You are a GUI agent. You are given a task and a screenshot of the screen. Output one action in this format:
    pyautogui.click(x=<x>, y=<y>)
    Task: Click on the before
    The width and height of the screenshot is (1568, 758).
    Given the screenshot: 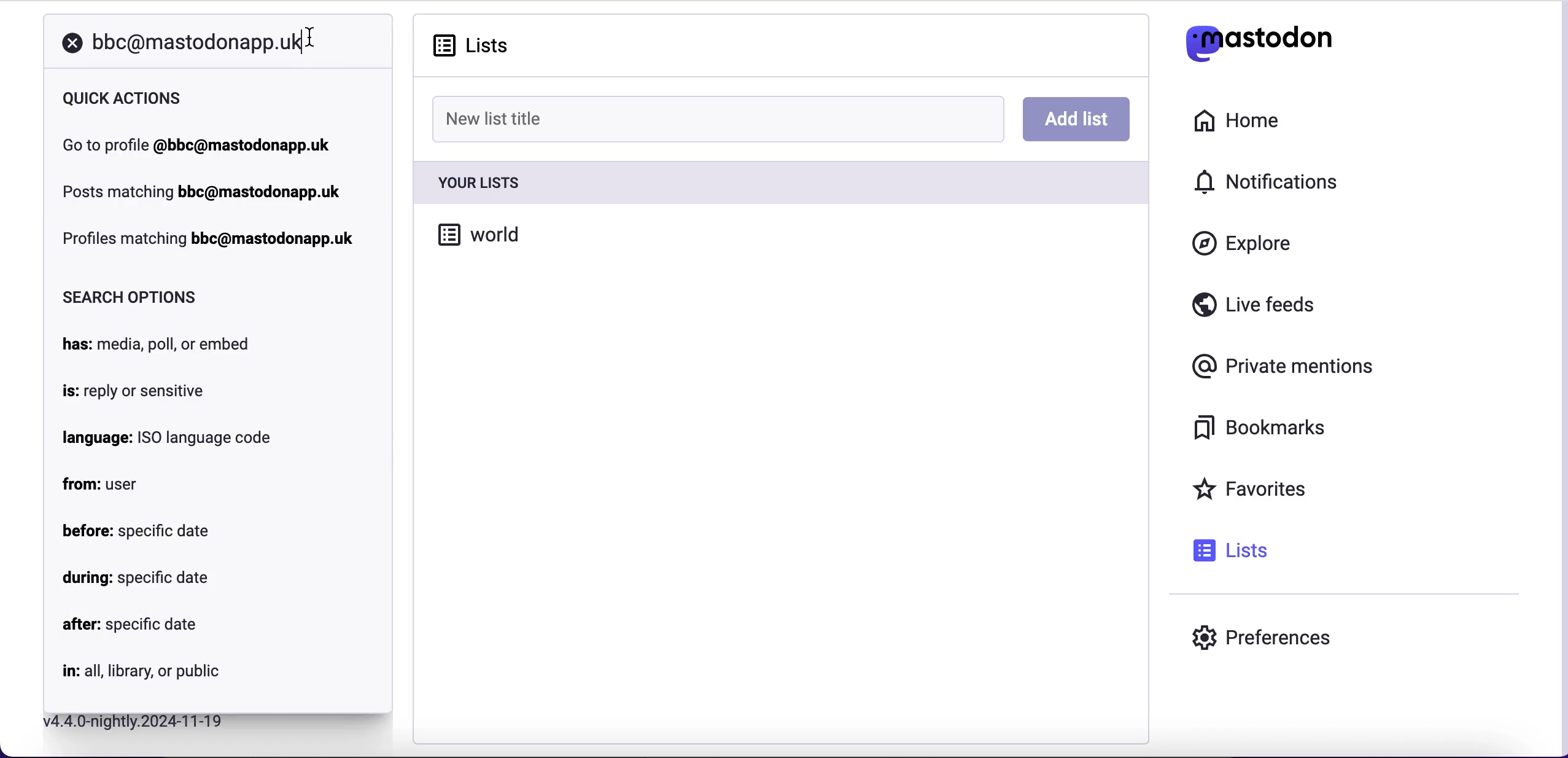 What is the action you would take?
    pyautogui.click(x=136, y=530)
    